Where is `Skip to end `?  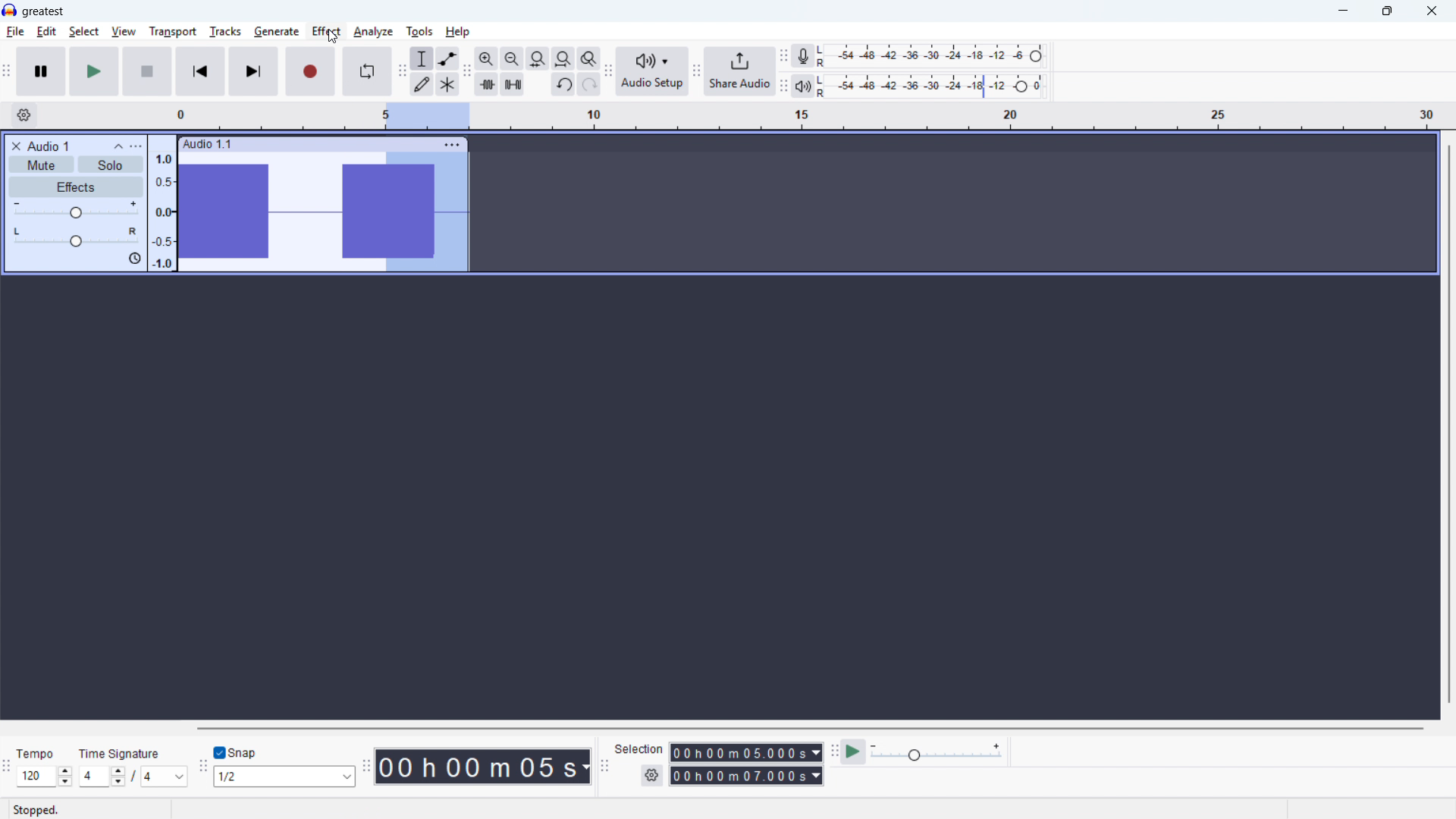 Skip to end  is located at coordinates (255, 72).